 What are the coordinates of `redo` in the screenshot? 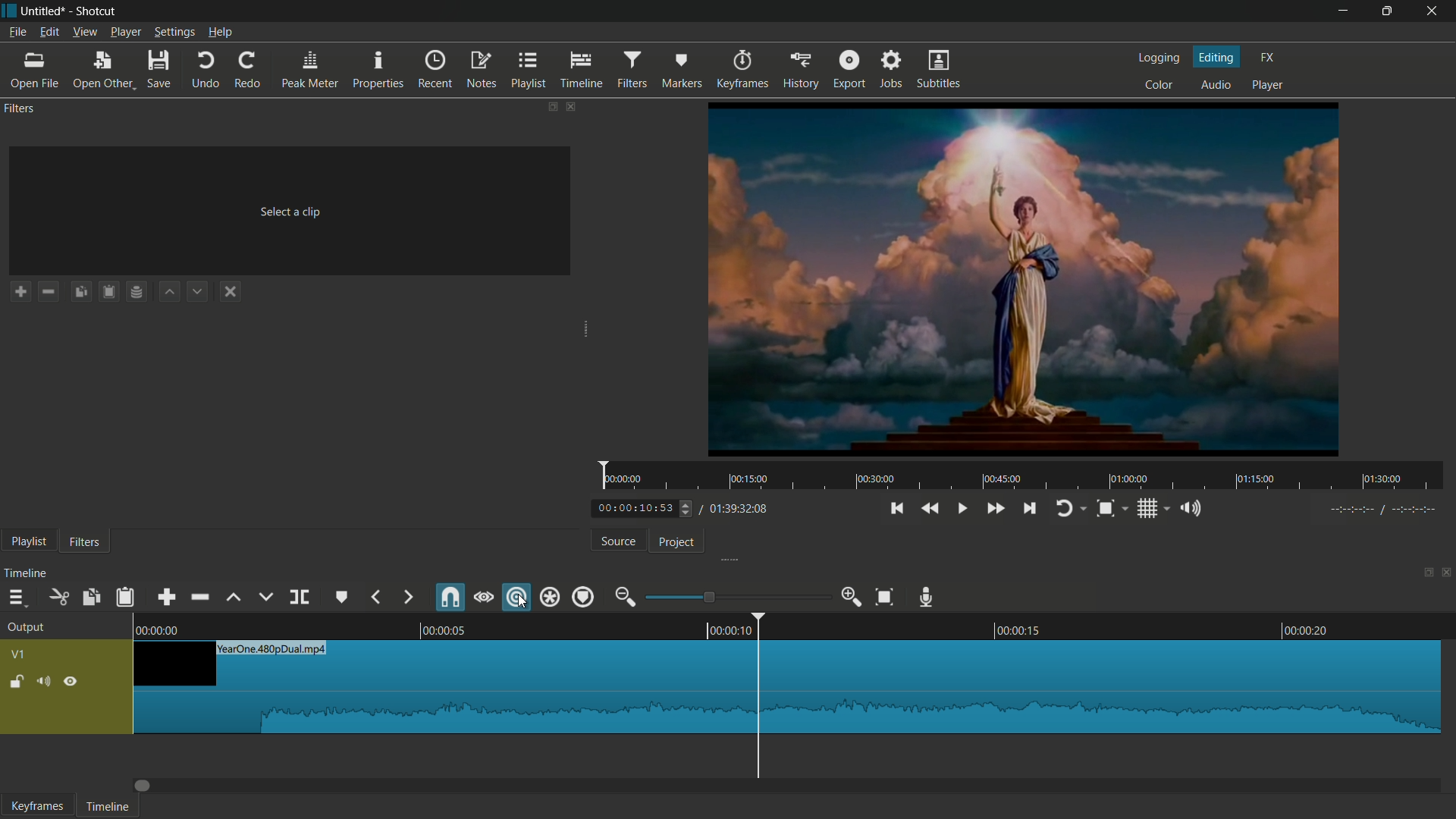 It's located at (248, 70).